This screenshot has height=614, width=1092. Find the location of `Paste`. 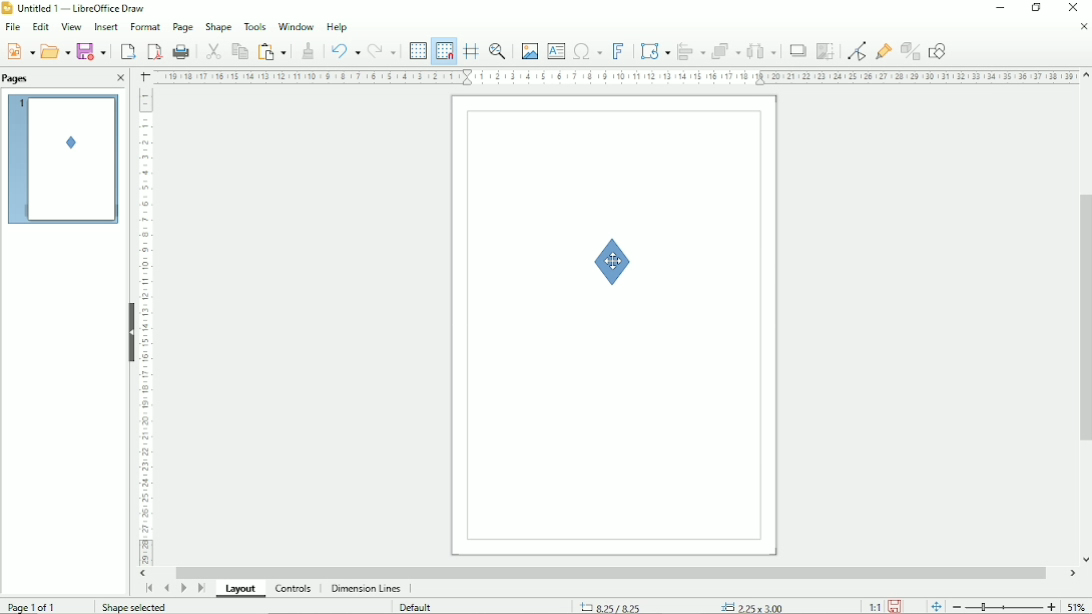

Paste is located at coordinates (274, 49).